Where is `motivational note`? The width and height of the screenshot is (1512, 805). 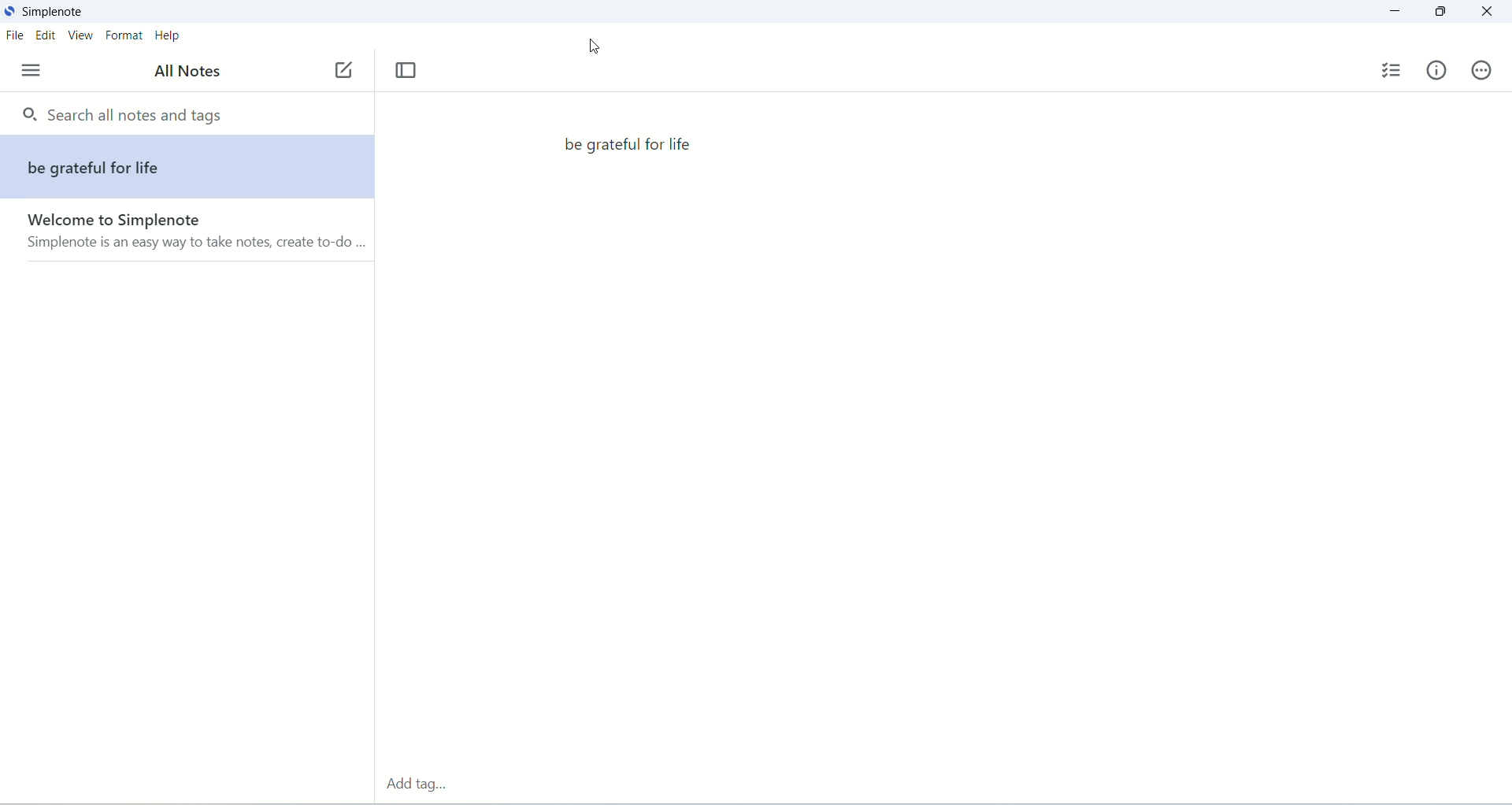
motivational note is located at coordinates (628, 148).